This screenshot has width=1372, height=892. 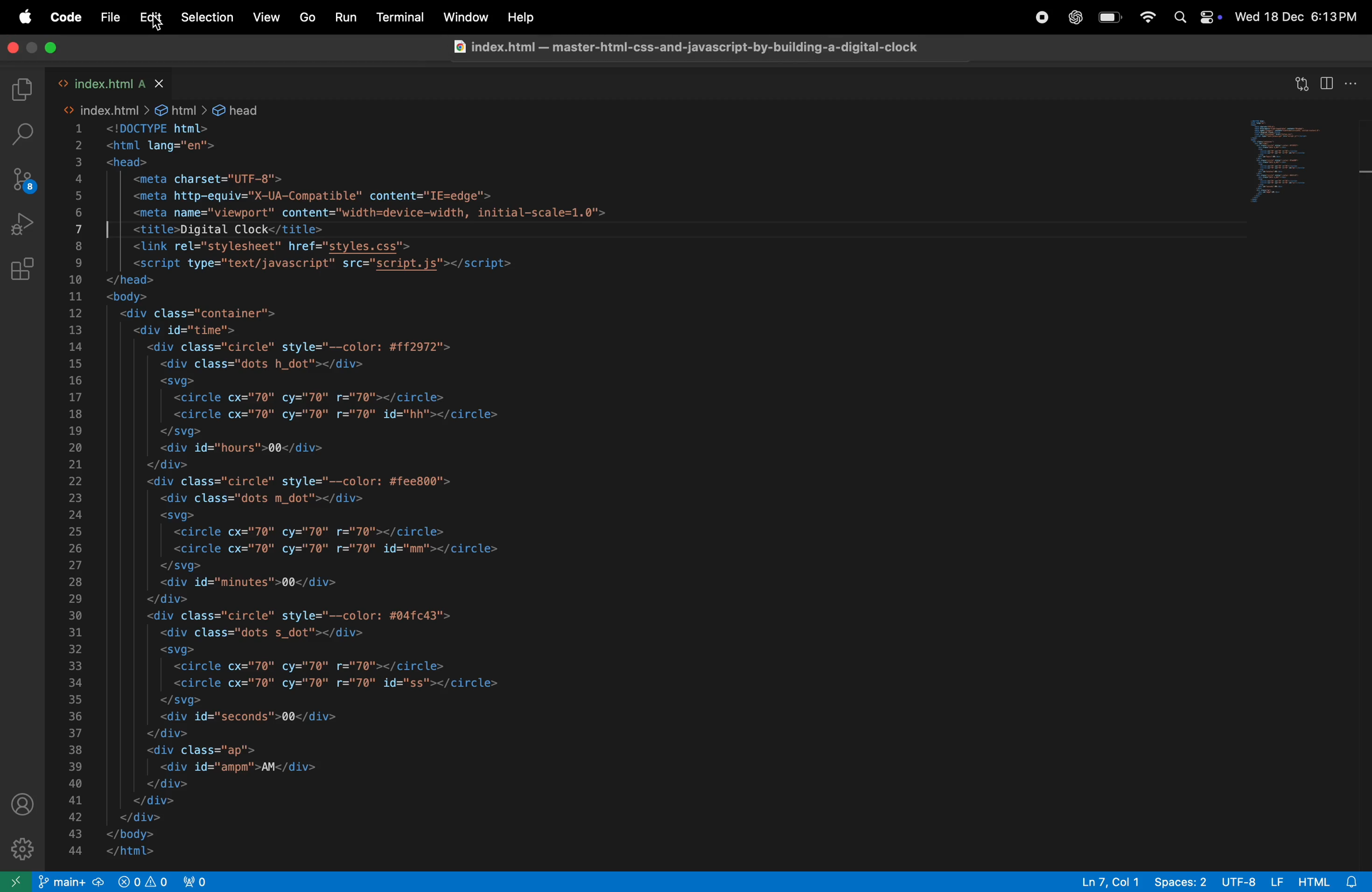 I want to click on html alert , so click(x=1332, y=881).